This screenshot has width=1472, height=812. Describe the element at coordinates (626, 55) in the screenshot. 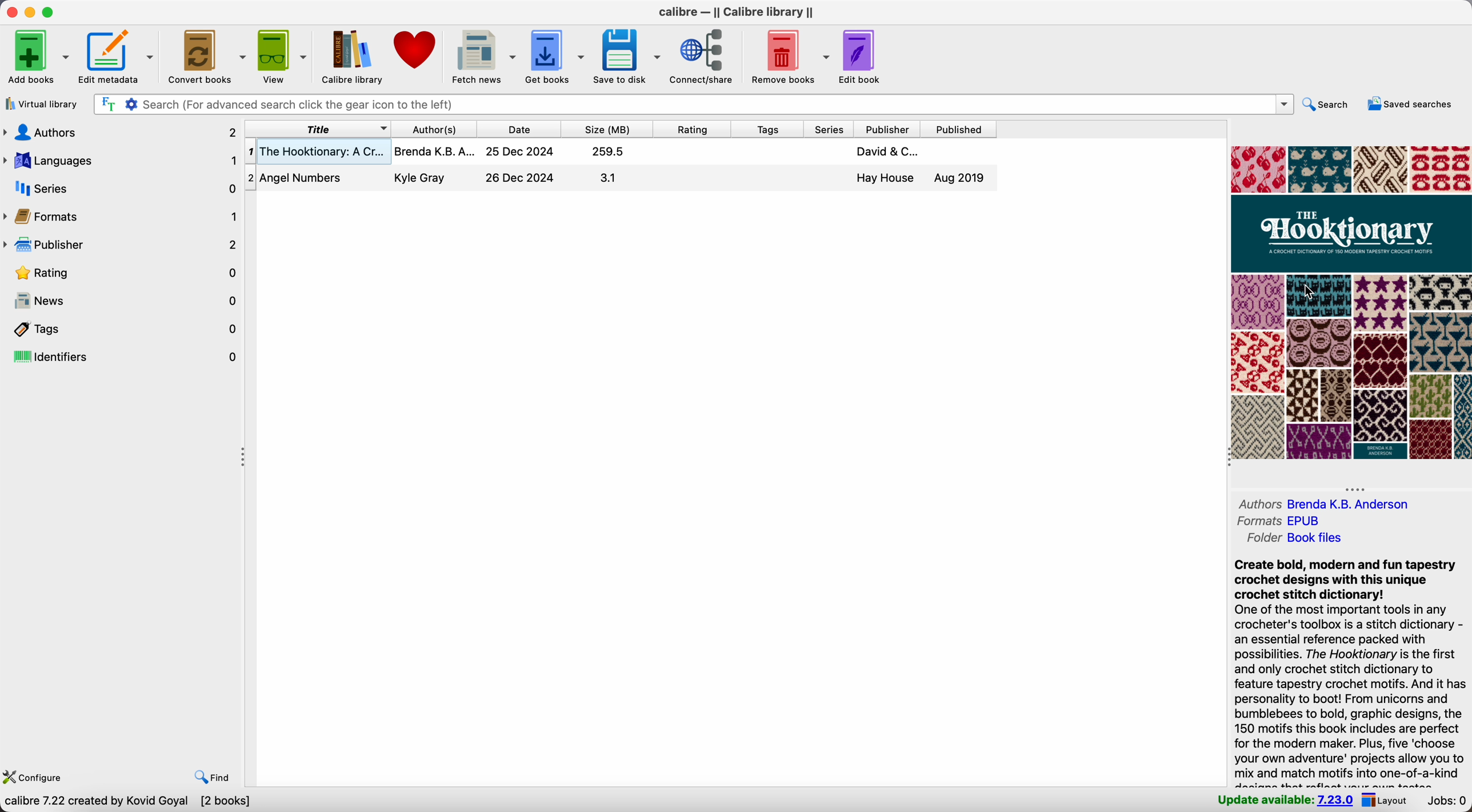

I see `save to disk` at that location.